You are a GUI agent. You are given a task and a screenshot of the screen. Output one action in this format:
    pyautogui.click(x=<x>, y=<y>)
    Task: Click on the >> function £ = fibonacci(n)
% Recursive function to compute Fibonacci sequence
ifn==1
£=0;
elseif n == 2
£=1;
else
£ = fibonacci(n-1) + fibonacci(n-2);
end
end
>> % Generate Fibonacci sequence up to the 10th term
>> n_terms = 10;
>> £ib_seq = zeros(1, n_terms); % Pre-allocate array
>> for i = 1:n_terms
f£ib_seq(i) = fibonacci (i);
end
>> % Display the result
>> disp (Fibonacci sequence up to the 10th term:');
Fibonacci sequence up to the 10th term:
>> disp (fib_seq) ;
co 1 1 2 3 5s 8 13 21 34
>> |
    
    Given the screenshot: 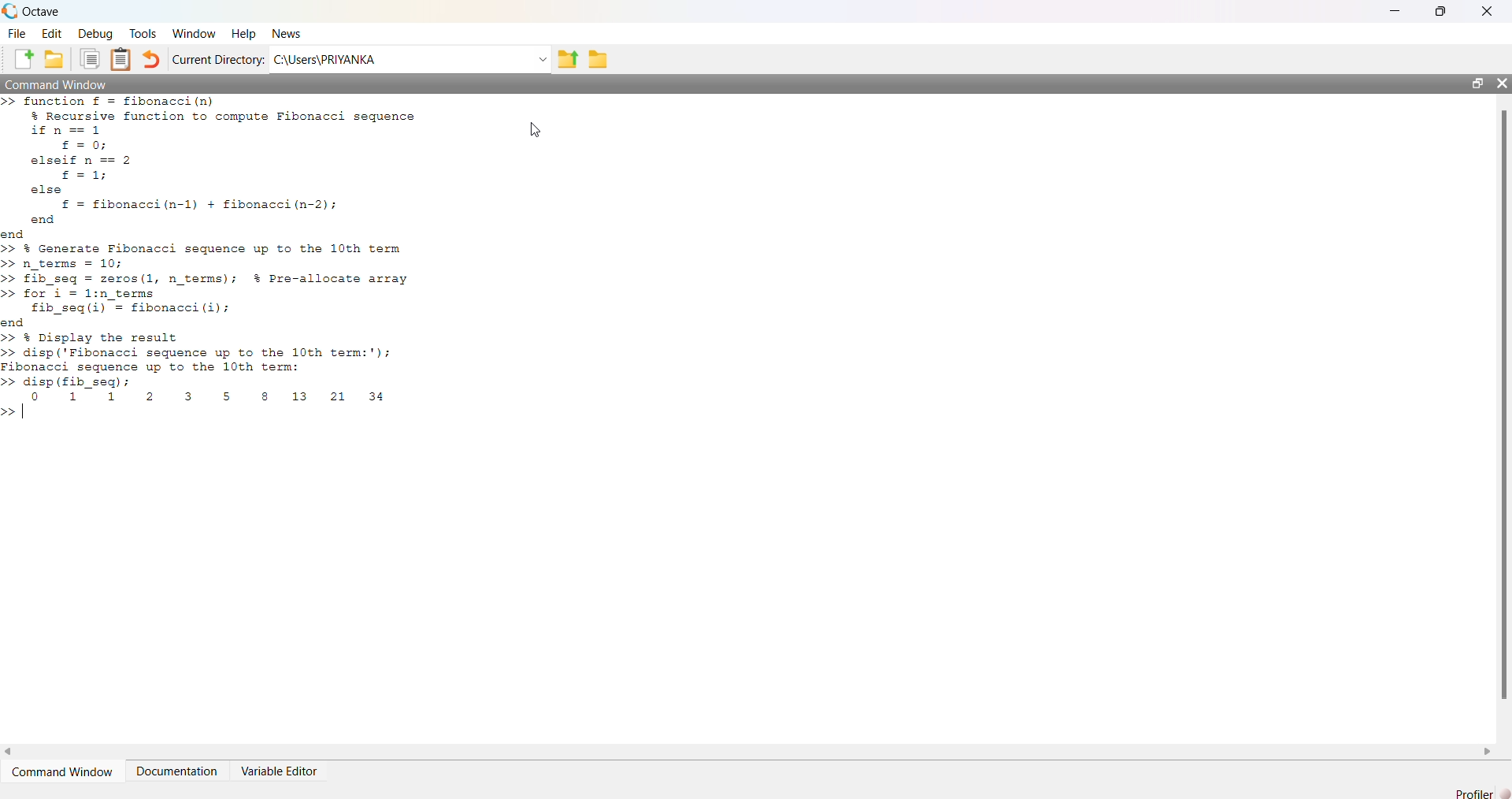 What is the action you would take?
    pyautogui.click(x=243, y=264)
    